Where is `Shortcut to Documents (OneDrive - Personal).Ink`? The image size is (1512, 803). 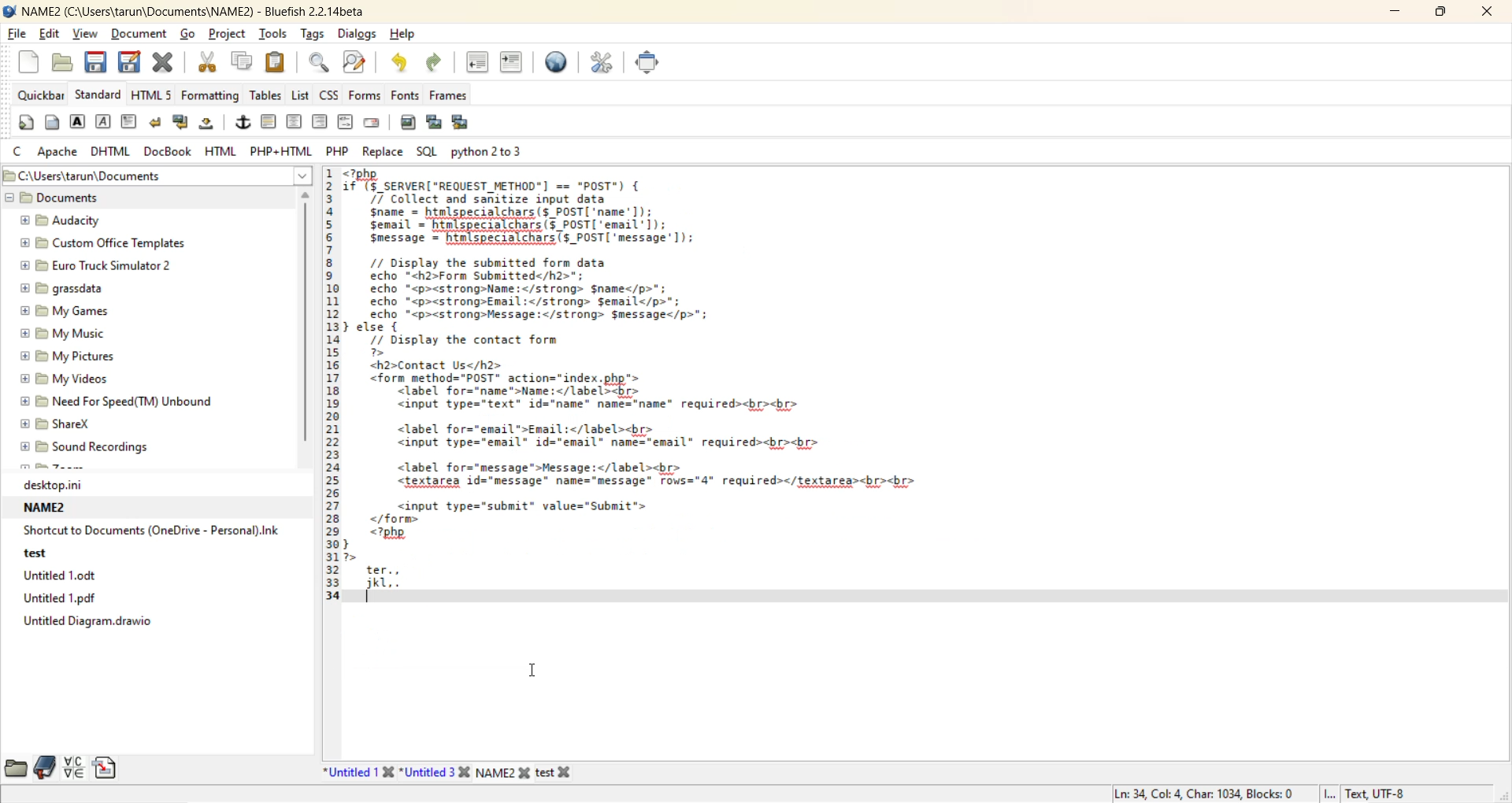
Shortcut to Documents (OneDrive - Personal).Ink is located at coordinates (154, 530).